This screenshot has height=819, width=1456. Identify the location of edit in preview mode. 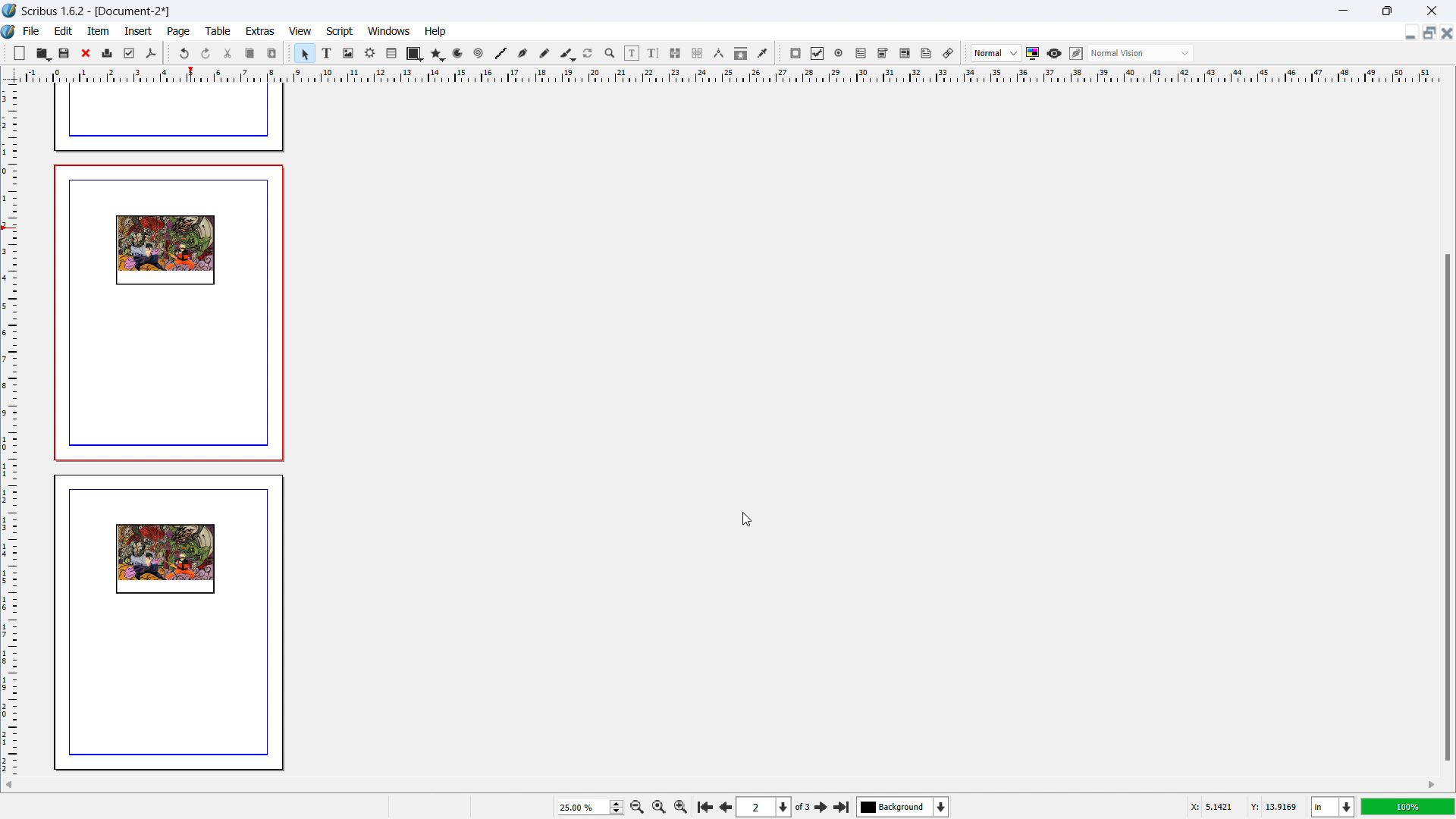
(1075, 54).